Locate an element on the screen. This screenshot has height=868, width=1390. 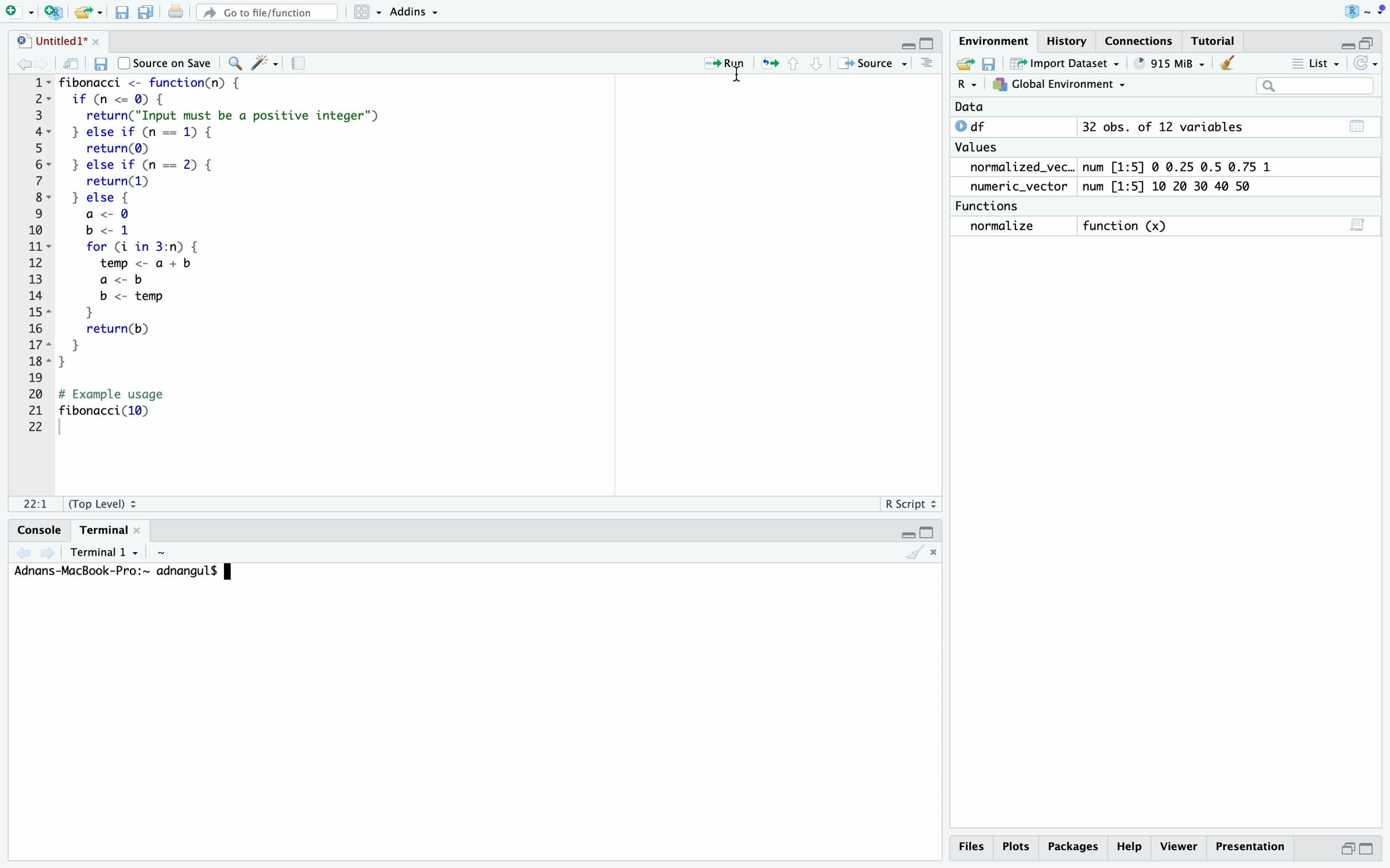
run the current line or selection is located at coordinates (728, 62).